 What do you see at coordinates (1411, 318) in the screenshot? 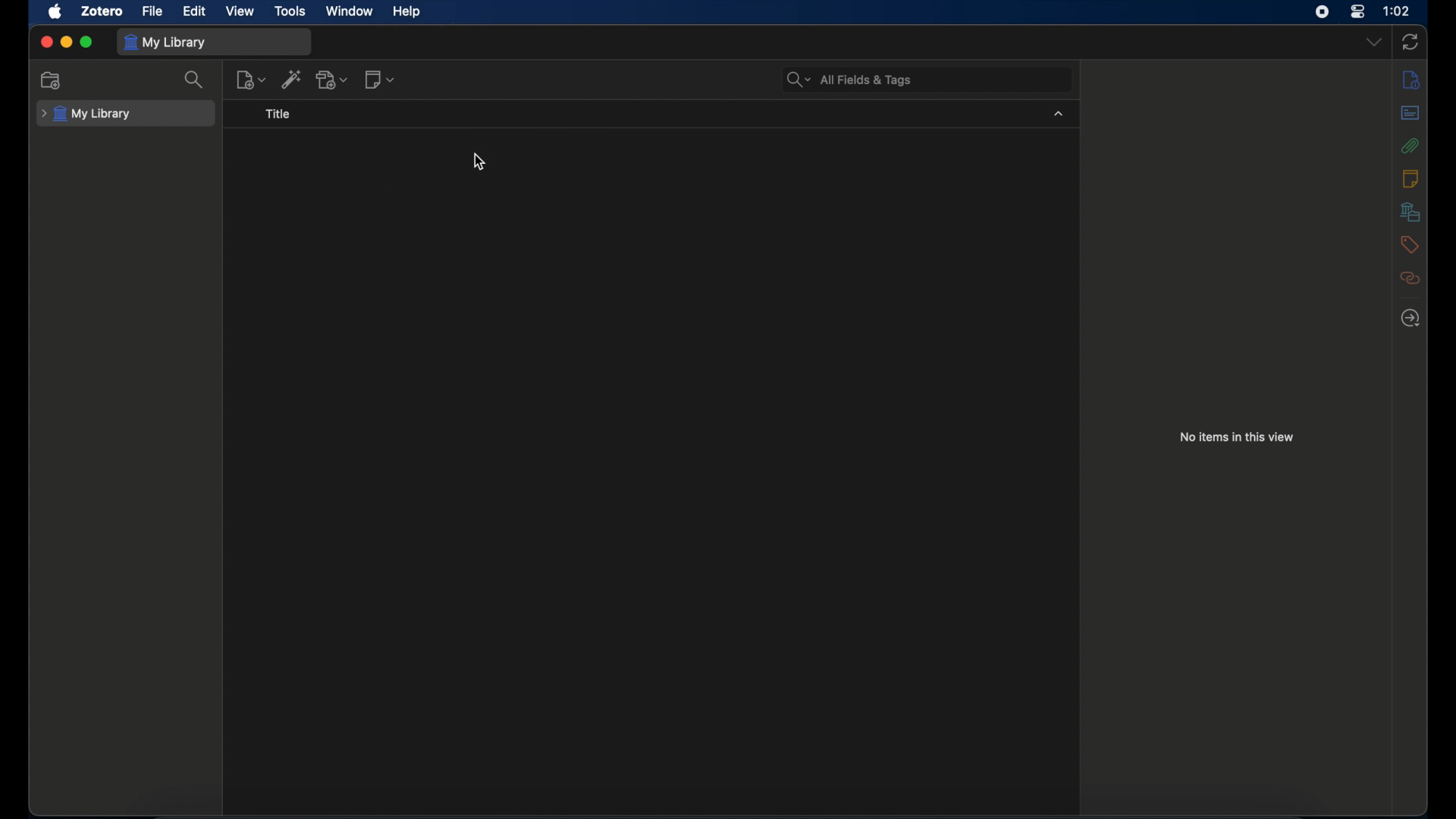
I see `locate` at bounding box center [1411, 318].